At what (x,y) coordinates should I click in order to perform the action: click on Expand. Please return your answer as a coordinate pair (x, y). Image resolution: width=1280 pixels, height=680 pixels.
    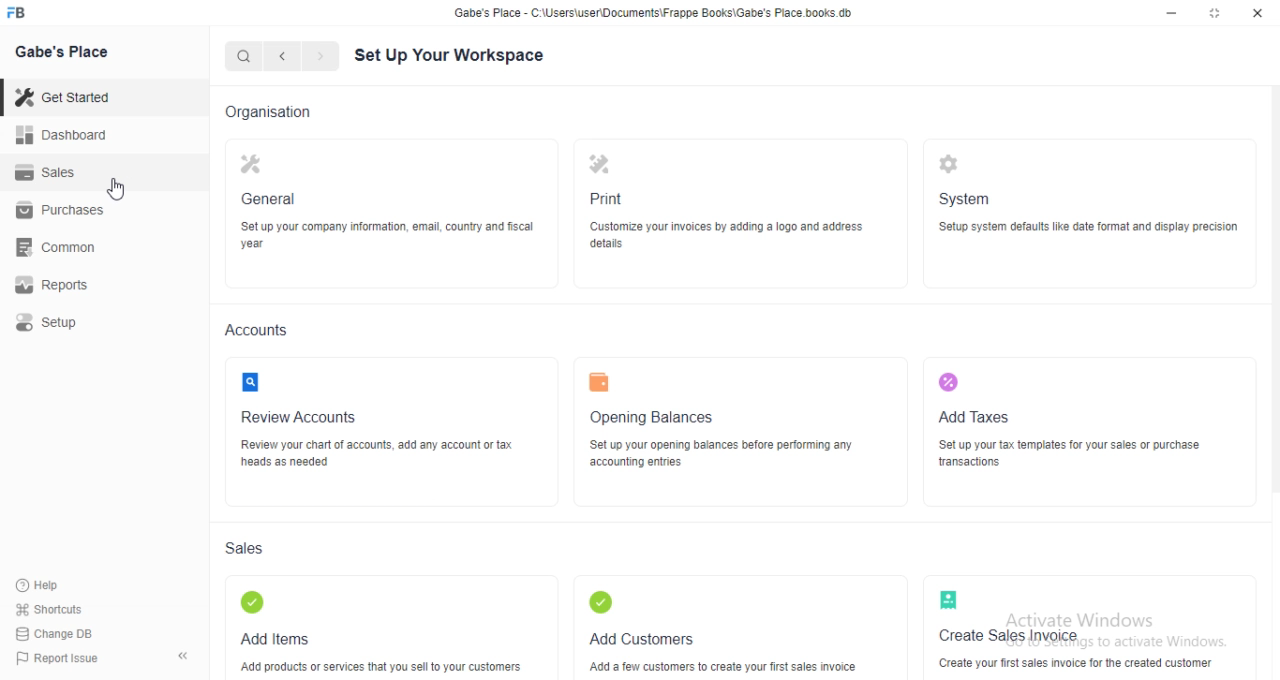
    Looking at the image, I should click on (1215, 14).